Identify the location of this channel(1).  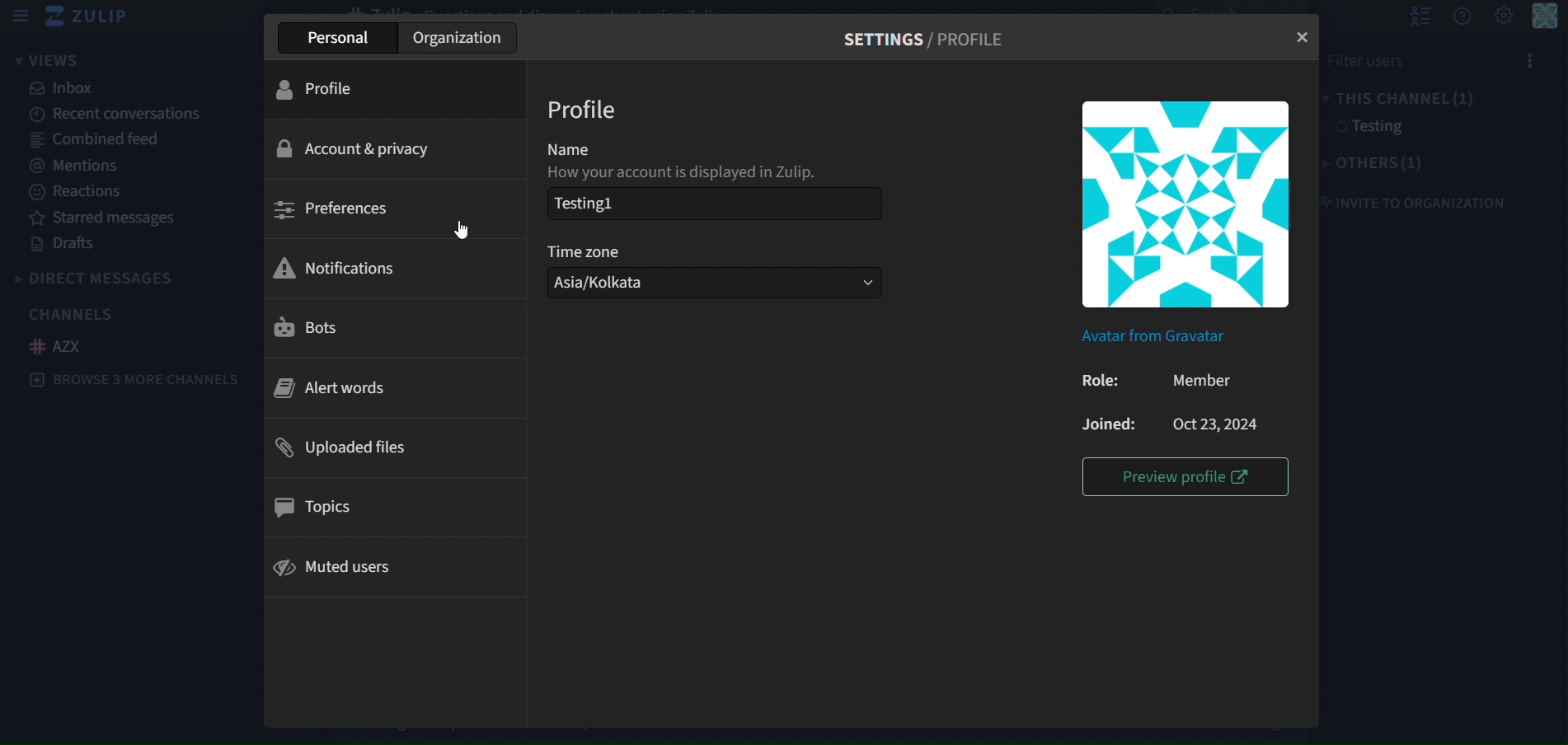
(1406, 96).